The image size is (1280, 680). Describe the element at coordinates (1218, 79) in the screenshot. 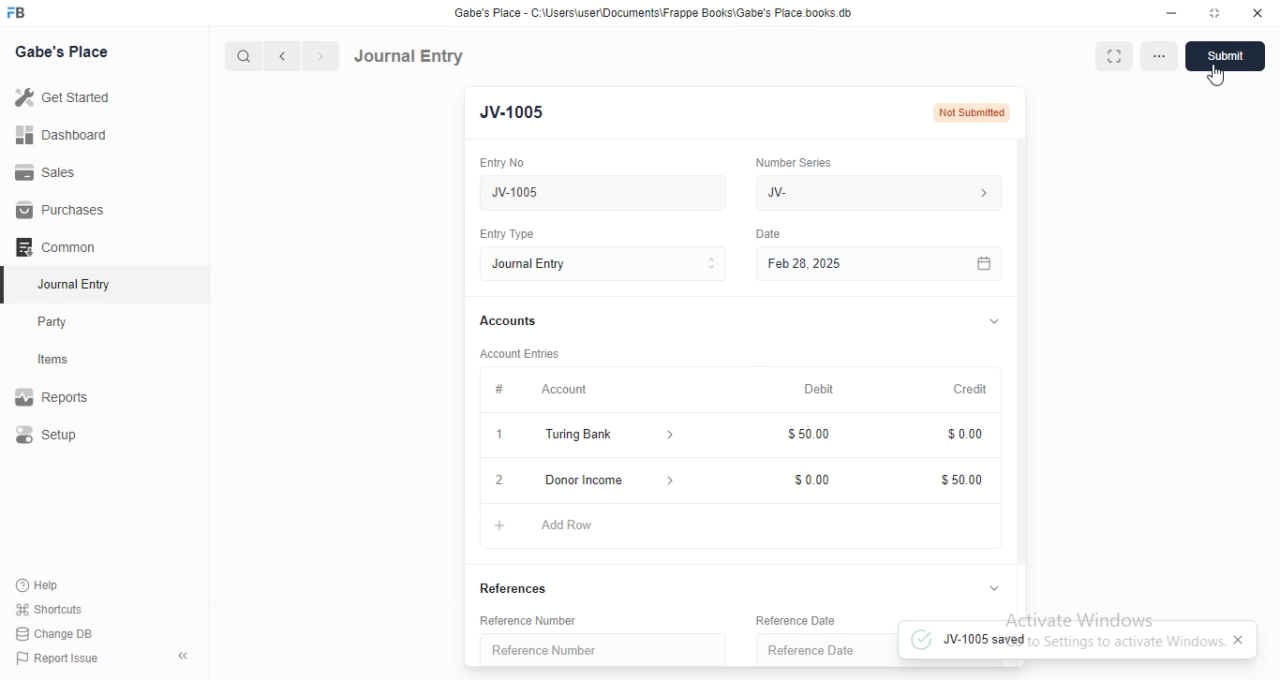

I see `cursor` at that location.